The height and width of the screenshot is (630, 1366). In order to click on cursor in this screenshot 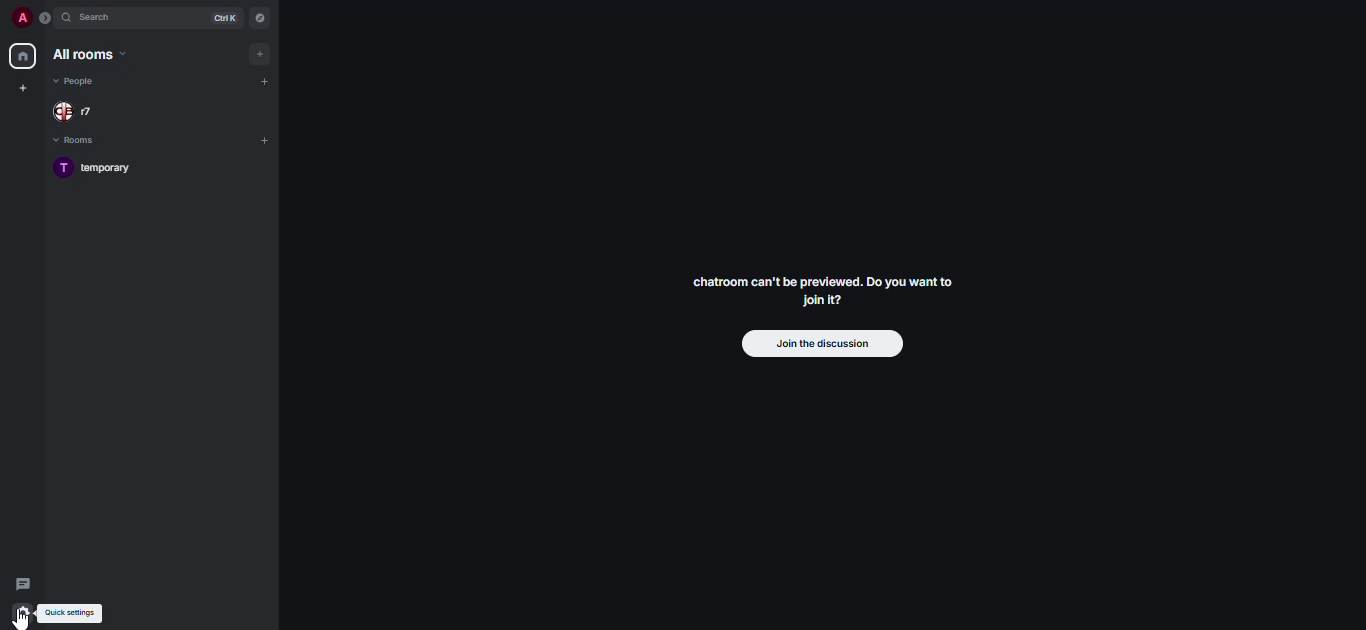, I will do `click(25, 619)`.